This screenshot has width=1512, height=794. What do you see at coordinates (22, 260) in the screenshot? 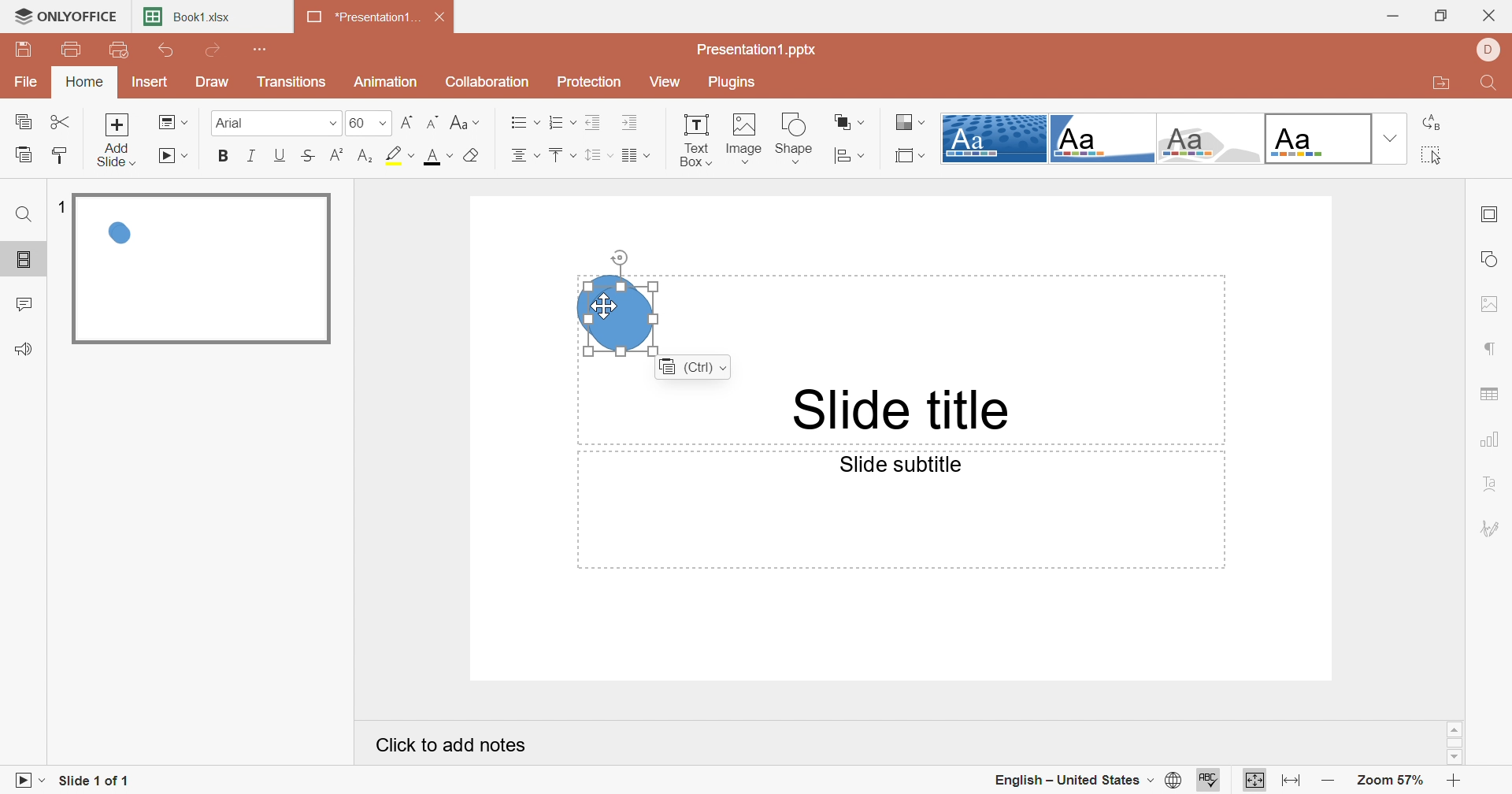
I see `Slides` at bounding box center [22, 260].